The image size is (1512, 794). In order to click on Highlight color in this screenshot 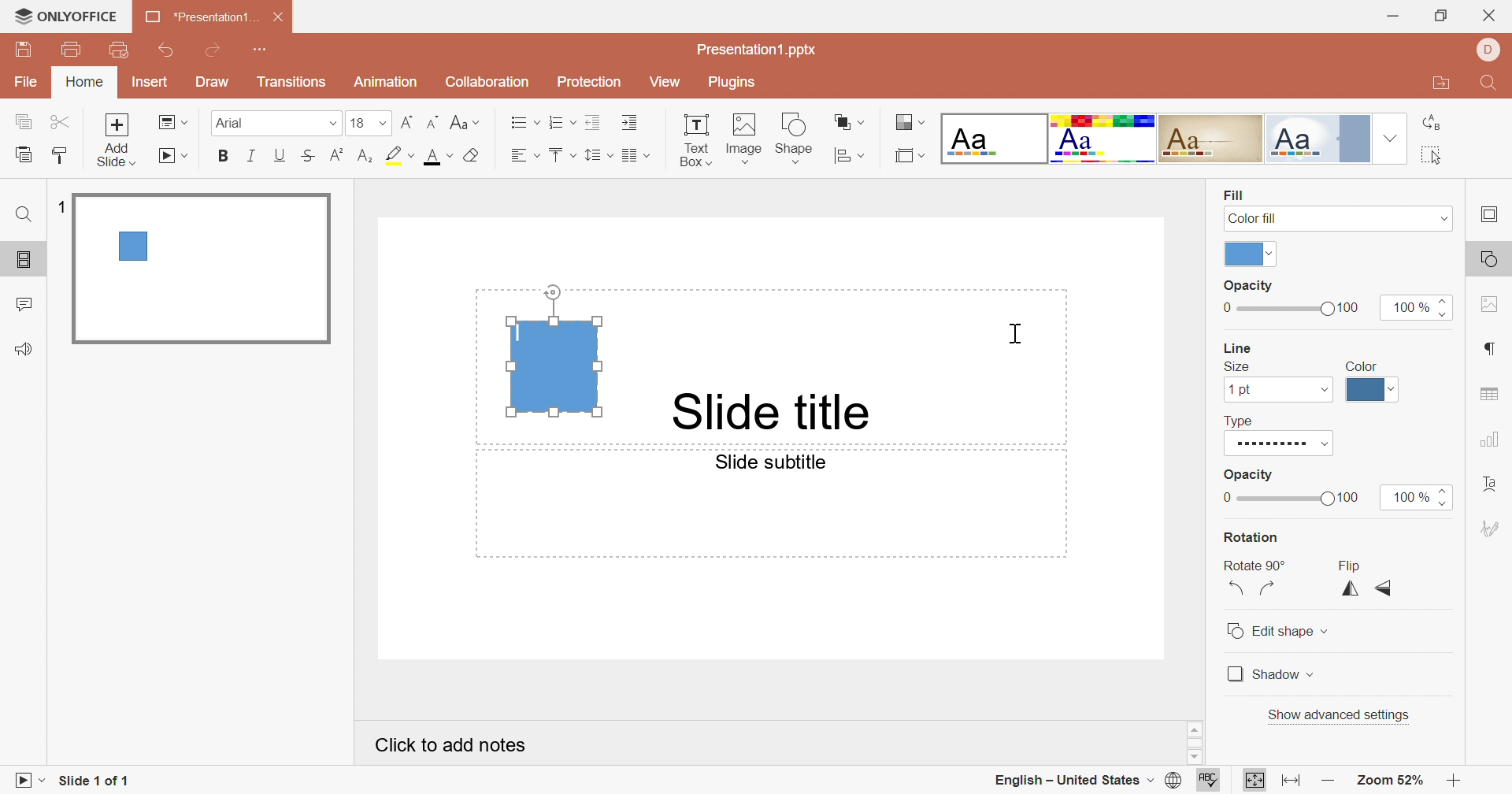, I will do `click(398, 157)`.